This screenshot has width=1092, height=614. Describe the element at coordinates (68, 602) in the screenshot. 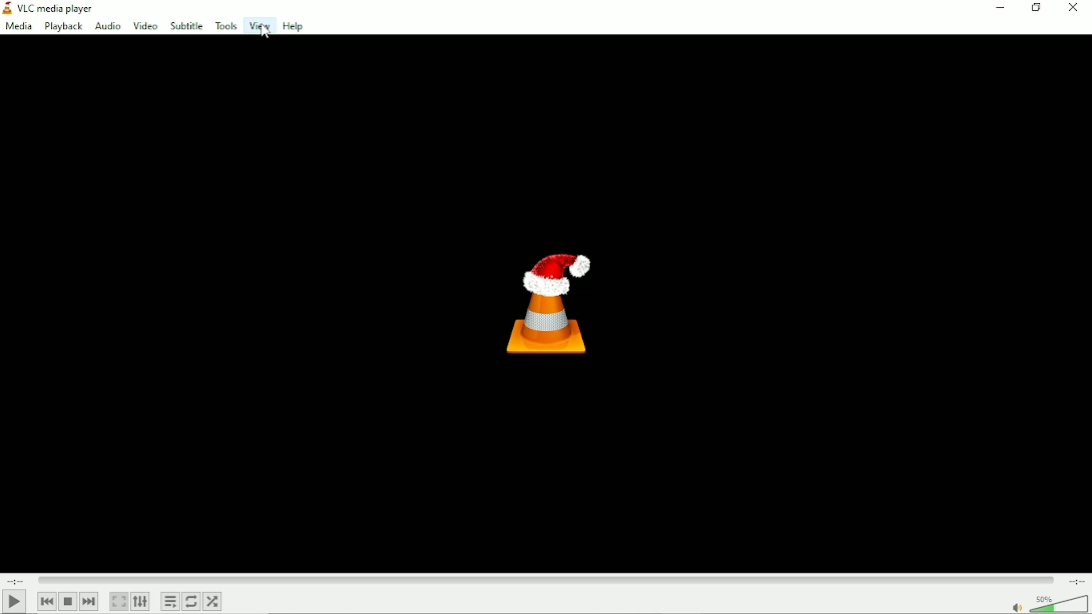

I see `Stop playlist` at that location.